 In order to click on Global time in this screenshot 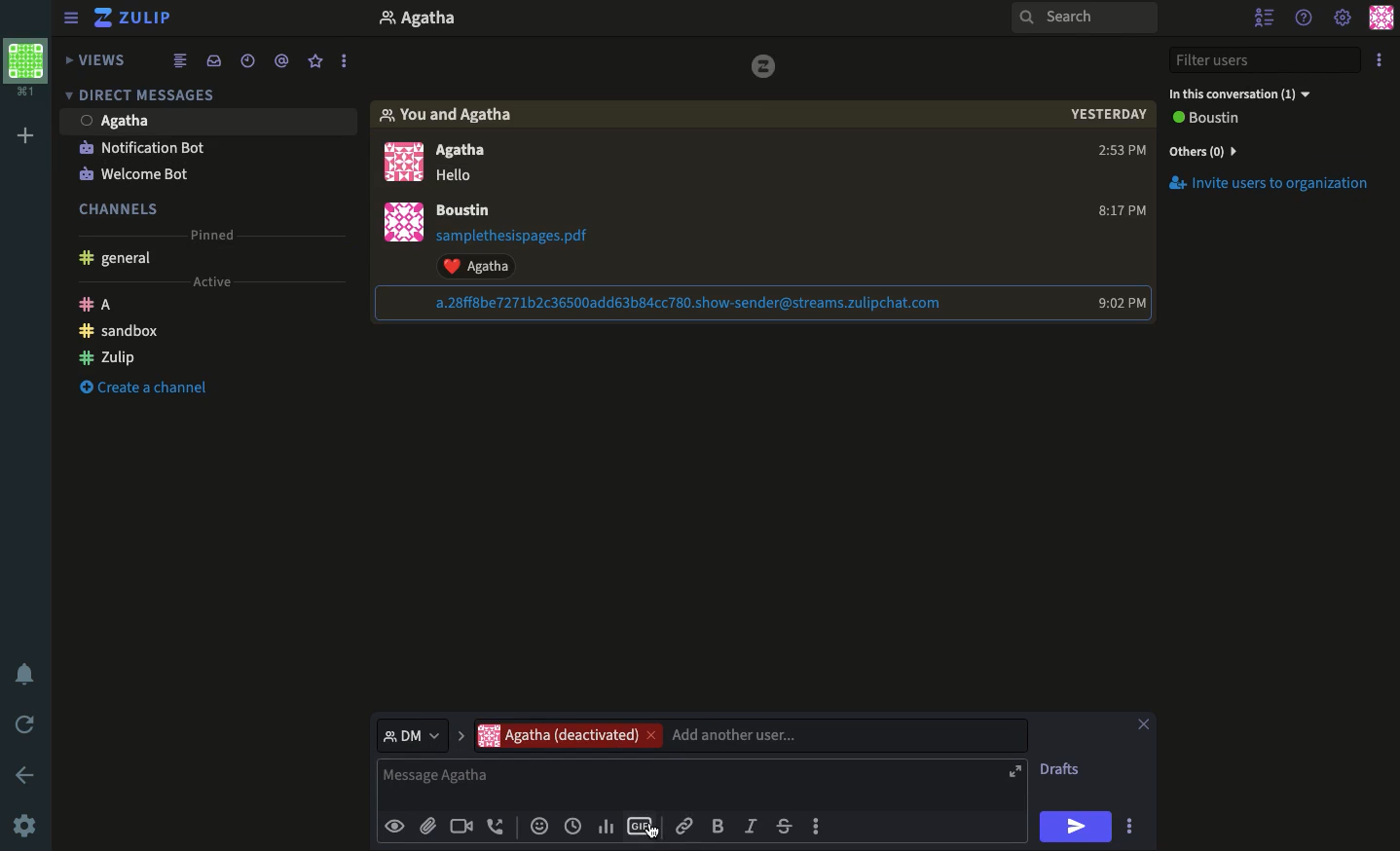, I will do `click(573, 825)`.